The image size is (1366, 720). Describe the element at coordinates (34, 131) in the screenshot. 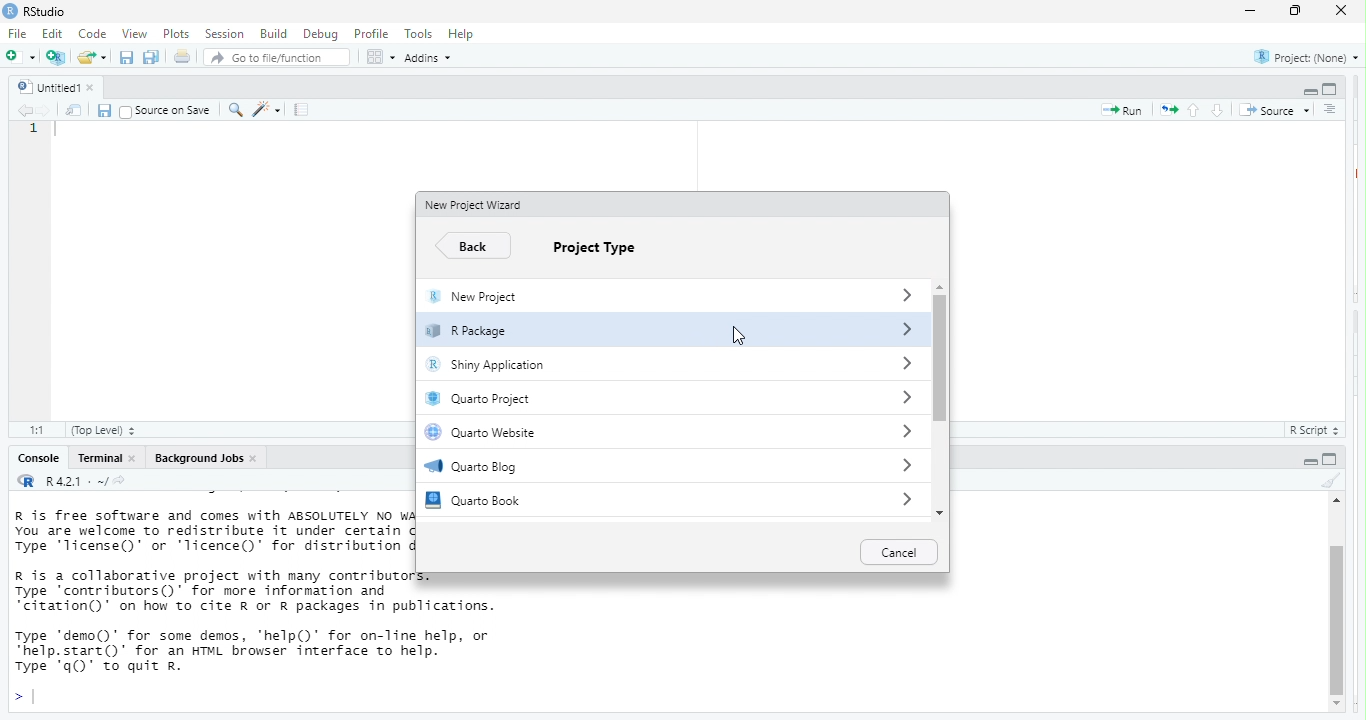

I see `1` at that location.